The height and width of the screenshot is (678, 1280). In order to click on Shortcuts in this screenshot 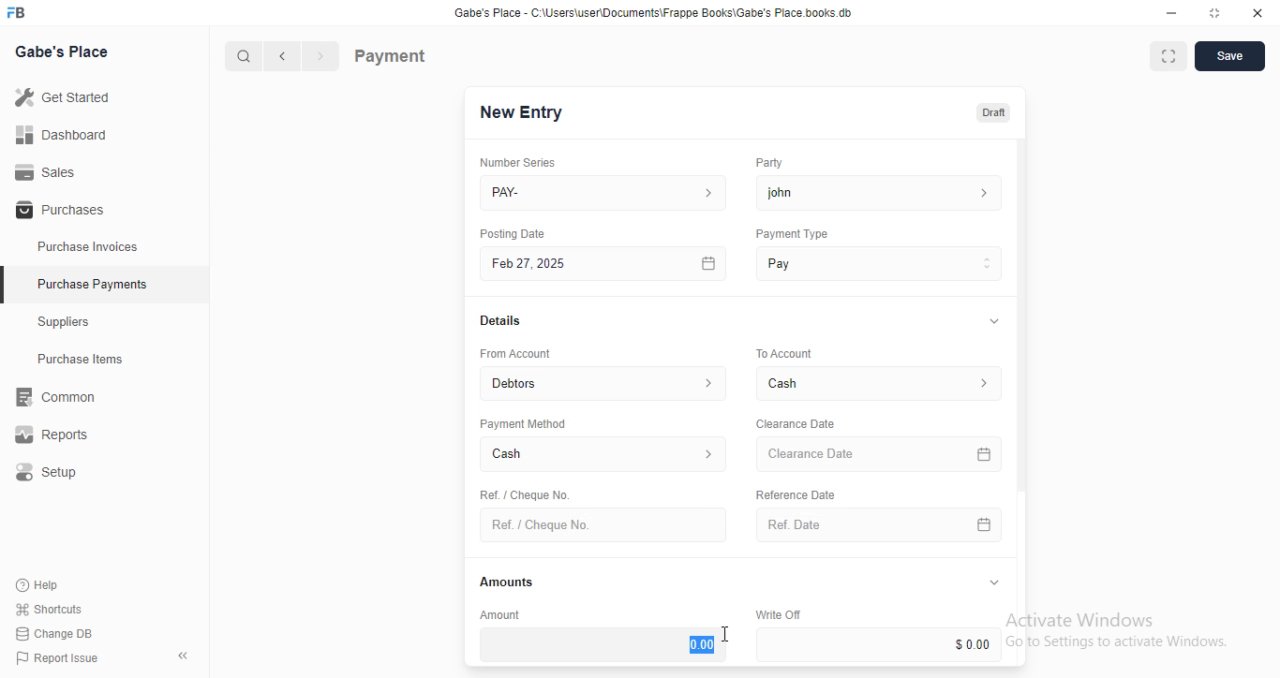, I will do `click(47, 610)`.